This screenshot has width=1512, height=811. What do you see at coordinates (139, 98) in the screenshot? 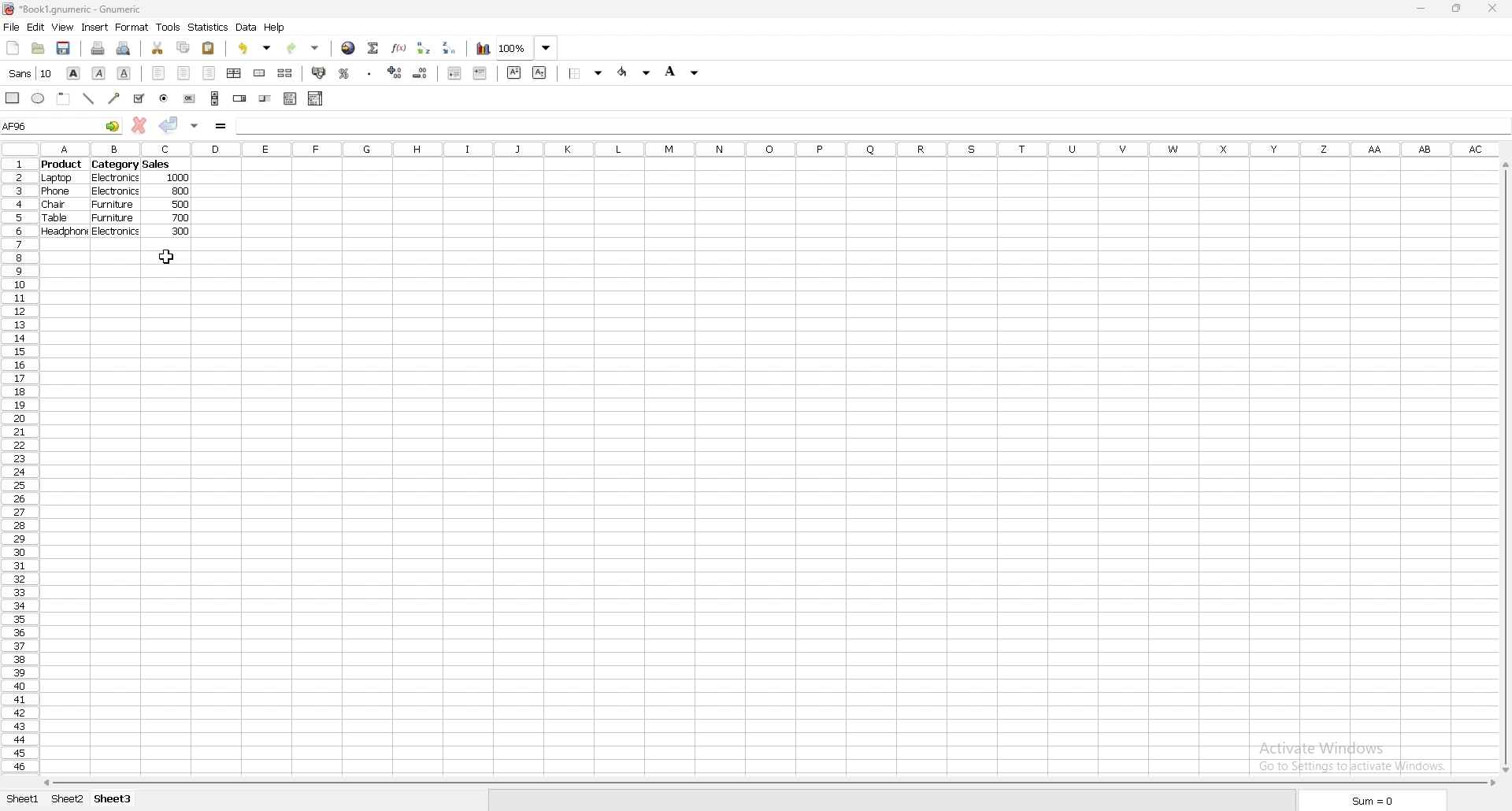
I see `tickbox` at bounding box center [139, 98].